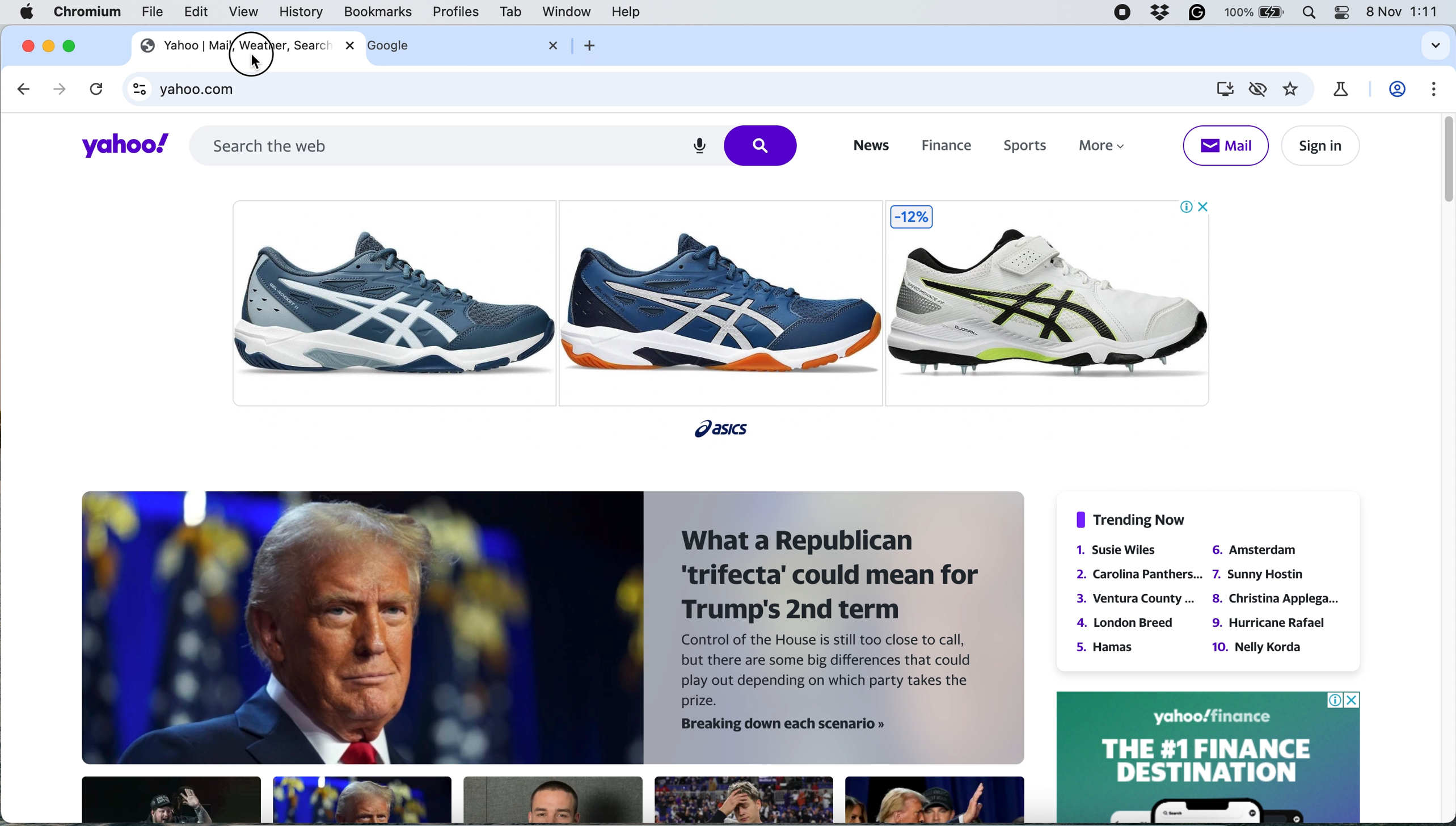 This screenshot has height=826, width=1456. I want to click on BB. a
| - >» 5 ZIPALA :
= 3 . What a Republican
= 5» » Ygpat 1
» a trifecta’ could mean for
| 4 ’ ¥
g » baa Trump's 2nd term
» rg AF Control of the House is still too close to call,
} te but there are some big differences that could
. A —y play out depending on which party takes the
“ k prize.
Hy. - Breaking down each scenario », so click(545, 656).